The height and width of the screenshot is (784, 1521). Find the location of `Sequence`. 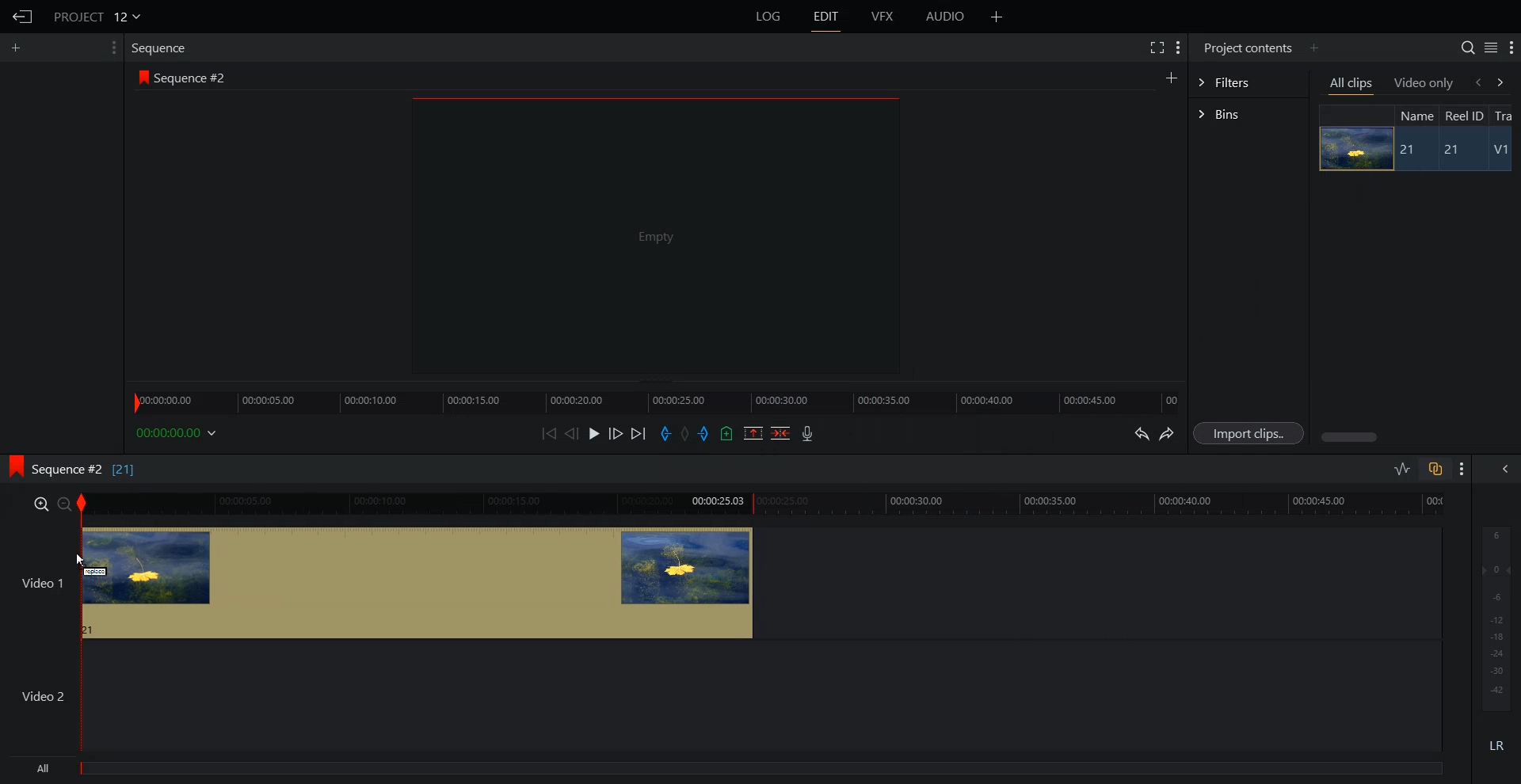

Sequence is located at coordinates (162, 48).